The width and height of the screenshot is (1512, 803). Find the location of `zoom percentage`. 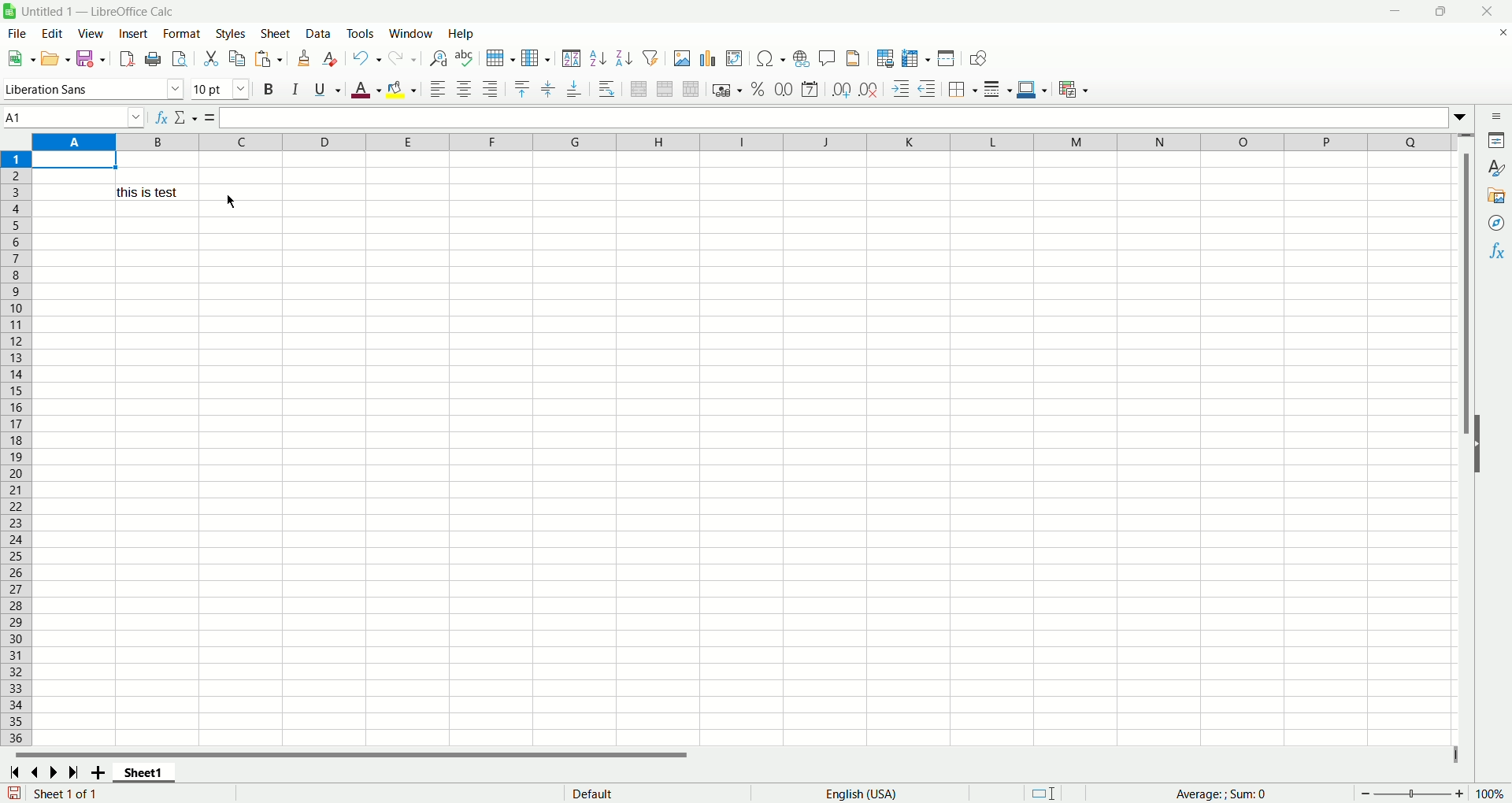

zoom percentage is located at coordinates (1492, 793).